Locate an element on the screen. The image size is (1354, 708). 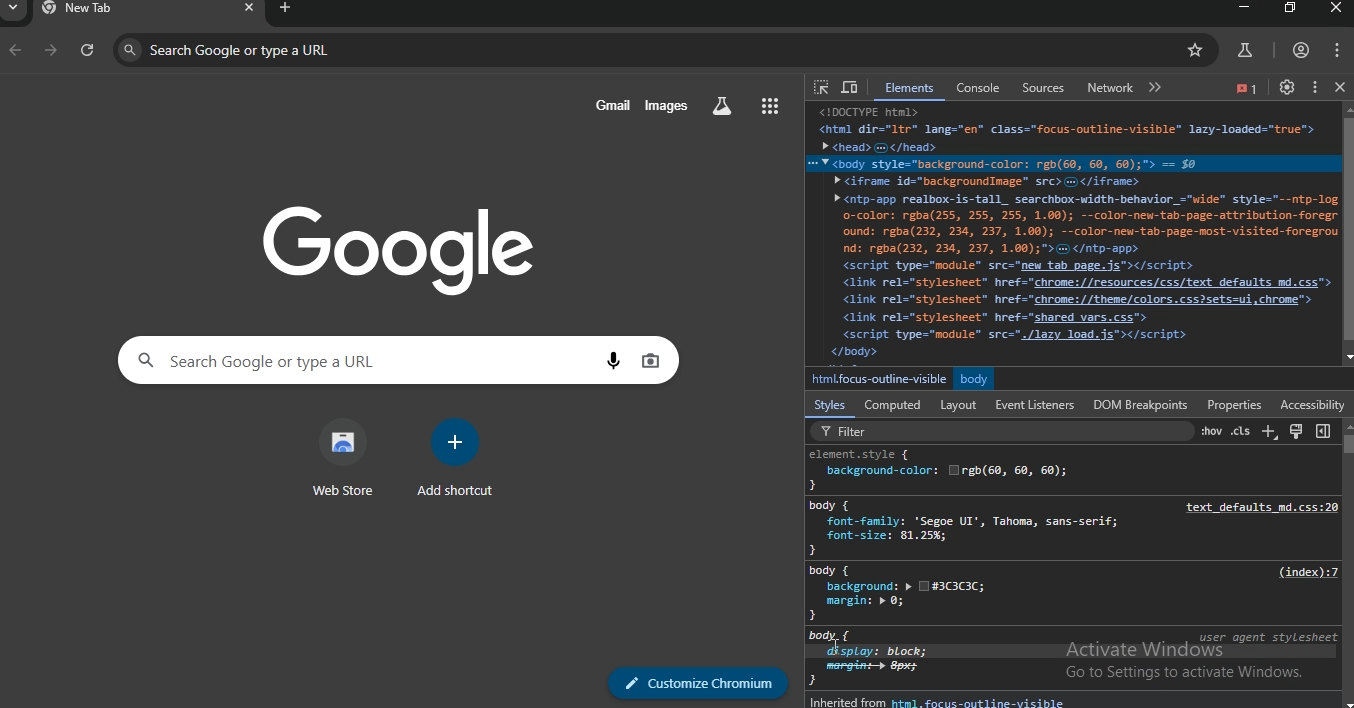
search google or type a URL is located at coordinates (377, 51).